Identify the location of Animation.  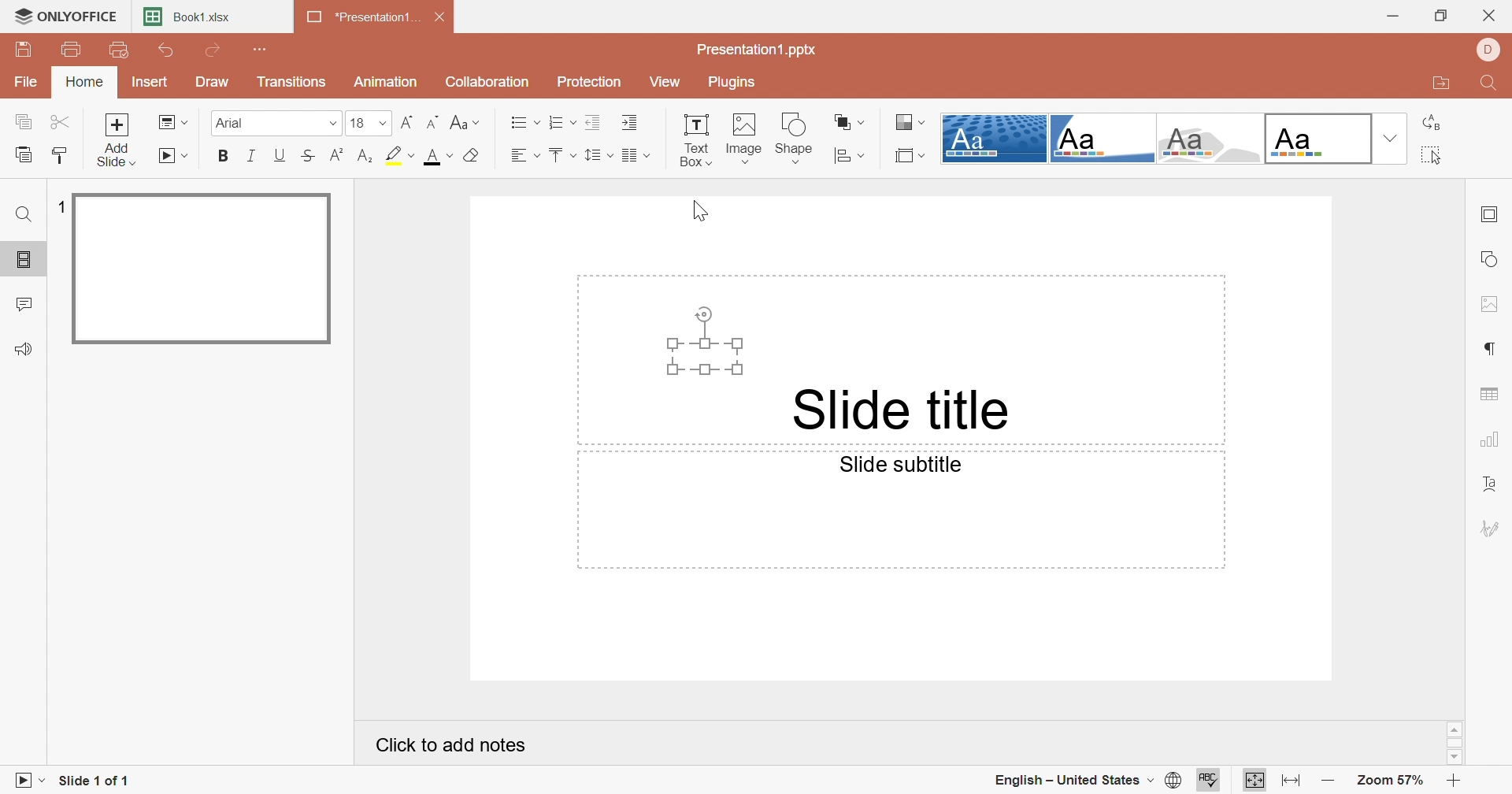
(388, 82).